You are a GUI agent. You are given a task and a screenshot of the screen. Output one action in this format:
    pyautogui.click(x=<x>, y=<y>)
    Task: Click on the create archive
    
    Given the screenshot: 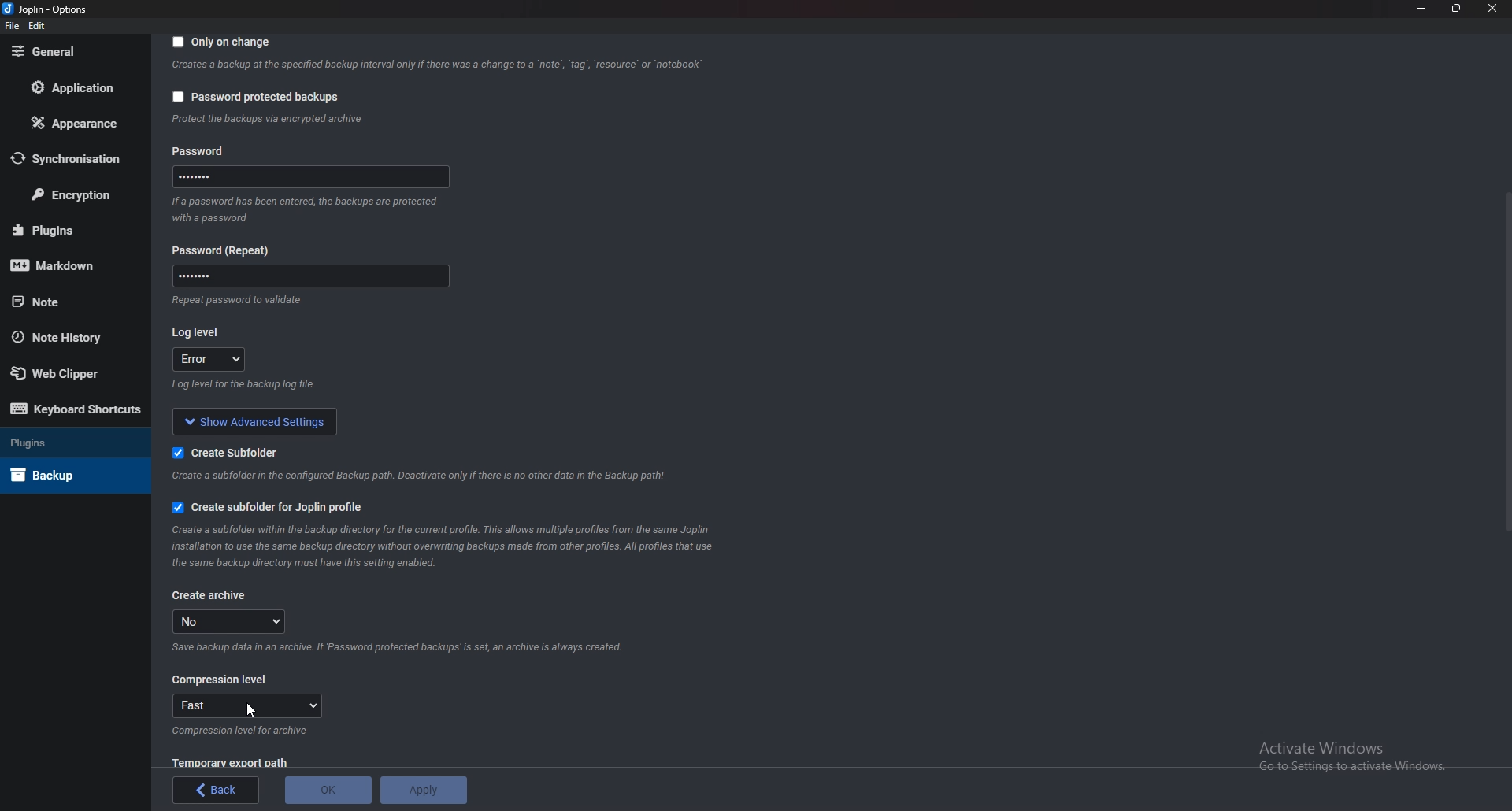 What is the action you would take?
    pyautogui.click(x=210, y=595)
    